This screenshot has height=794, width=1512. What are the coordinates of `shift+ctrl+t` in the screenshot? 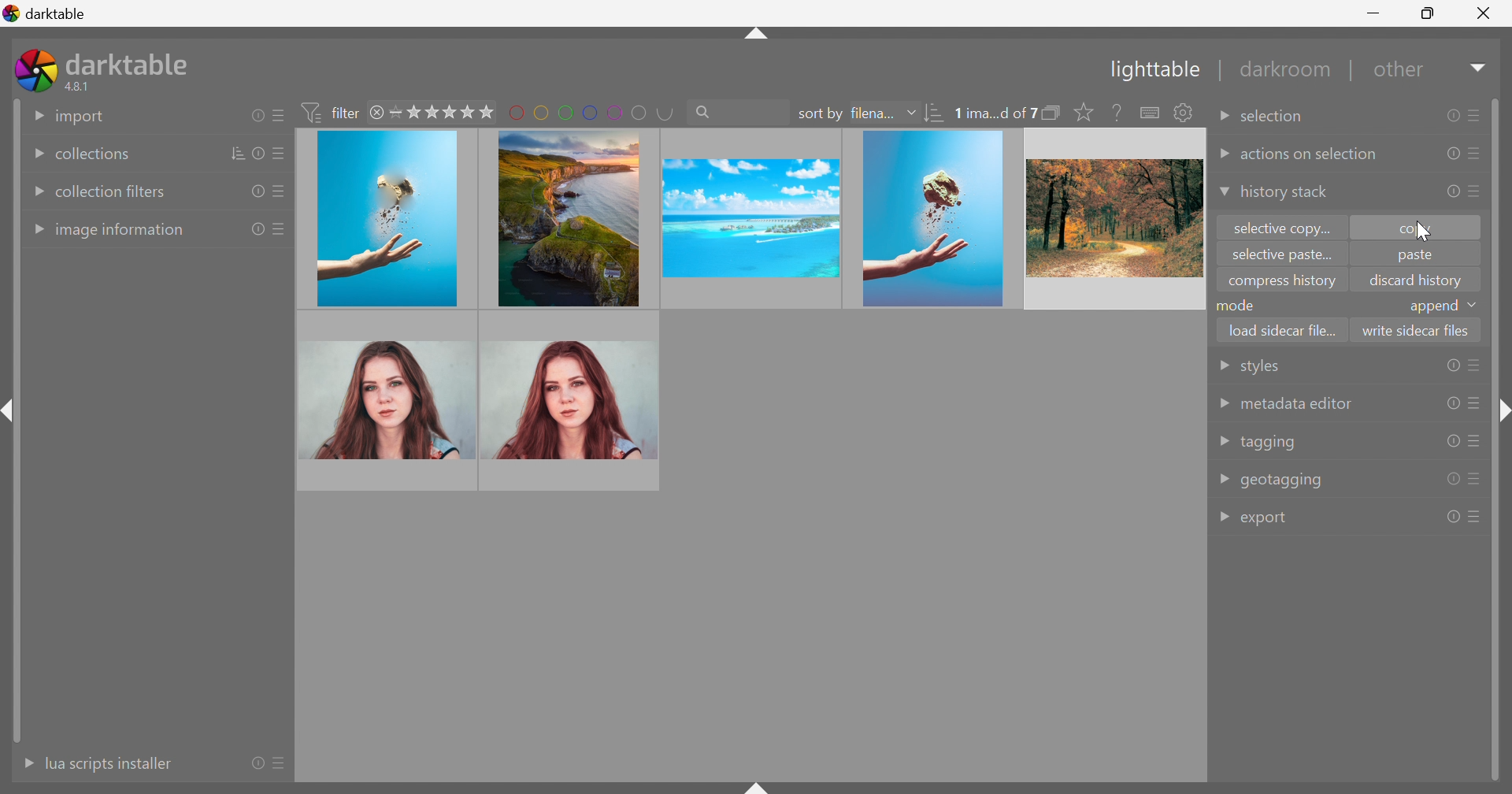 It's located at (754, 36).